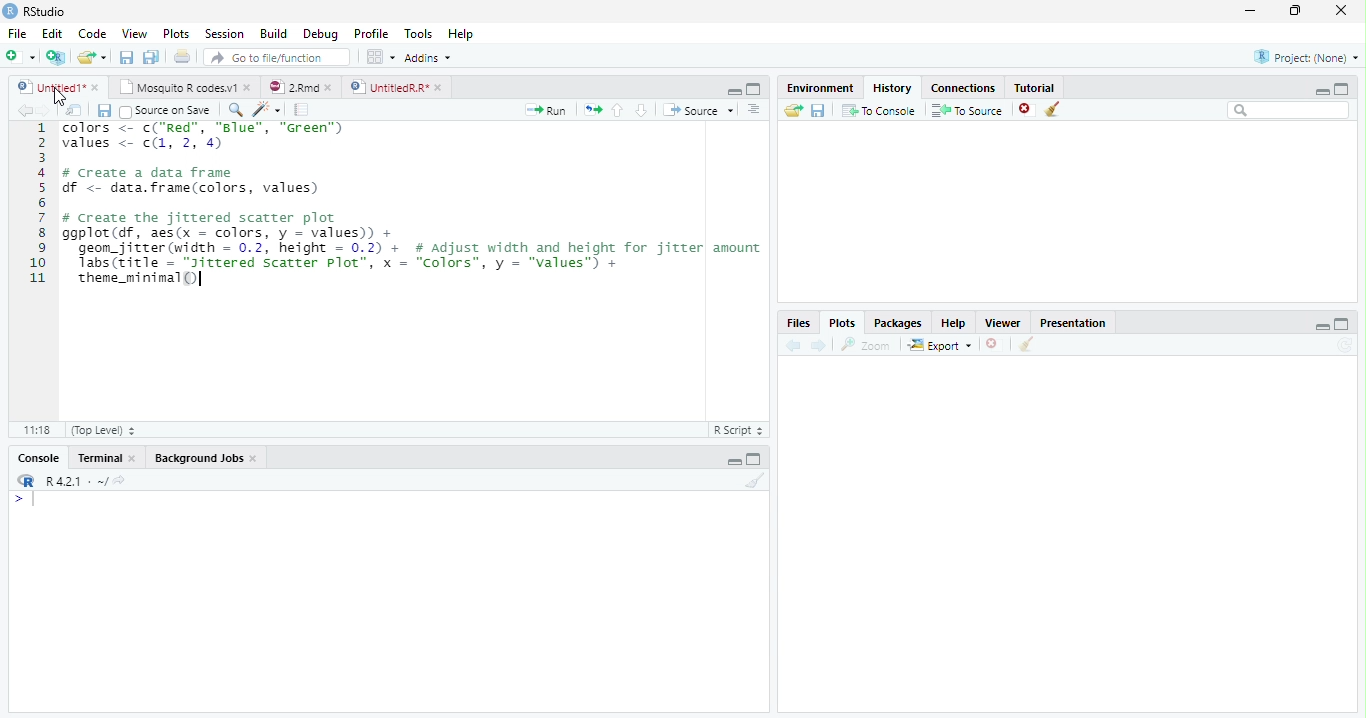  I want to click on Run, so click(546, 111).